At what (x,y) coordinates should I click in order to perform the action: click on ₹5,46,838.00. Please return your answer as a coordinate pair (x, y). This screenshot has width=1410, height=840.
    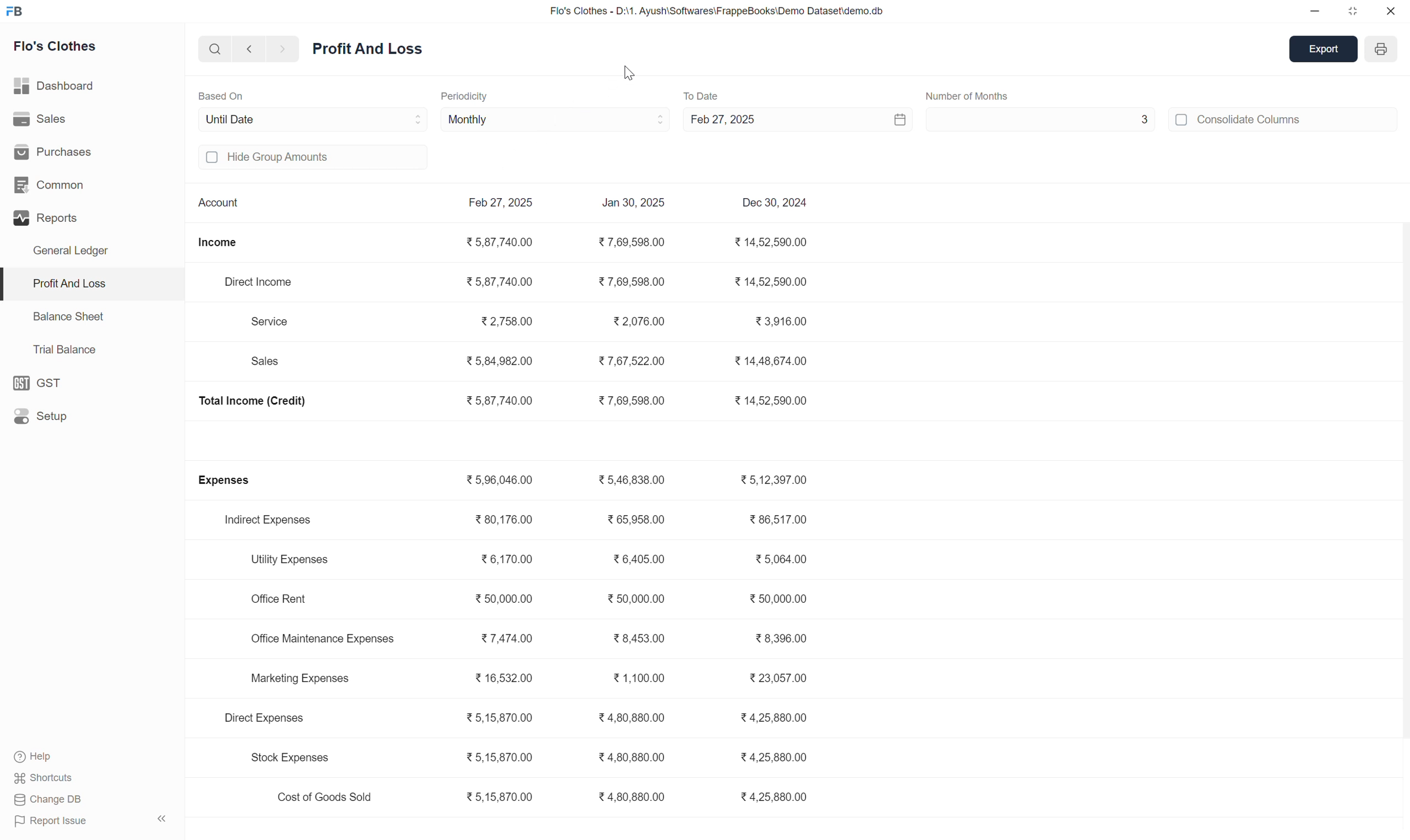
    Looking at the image, I should click on (632, 482).